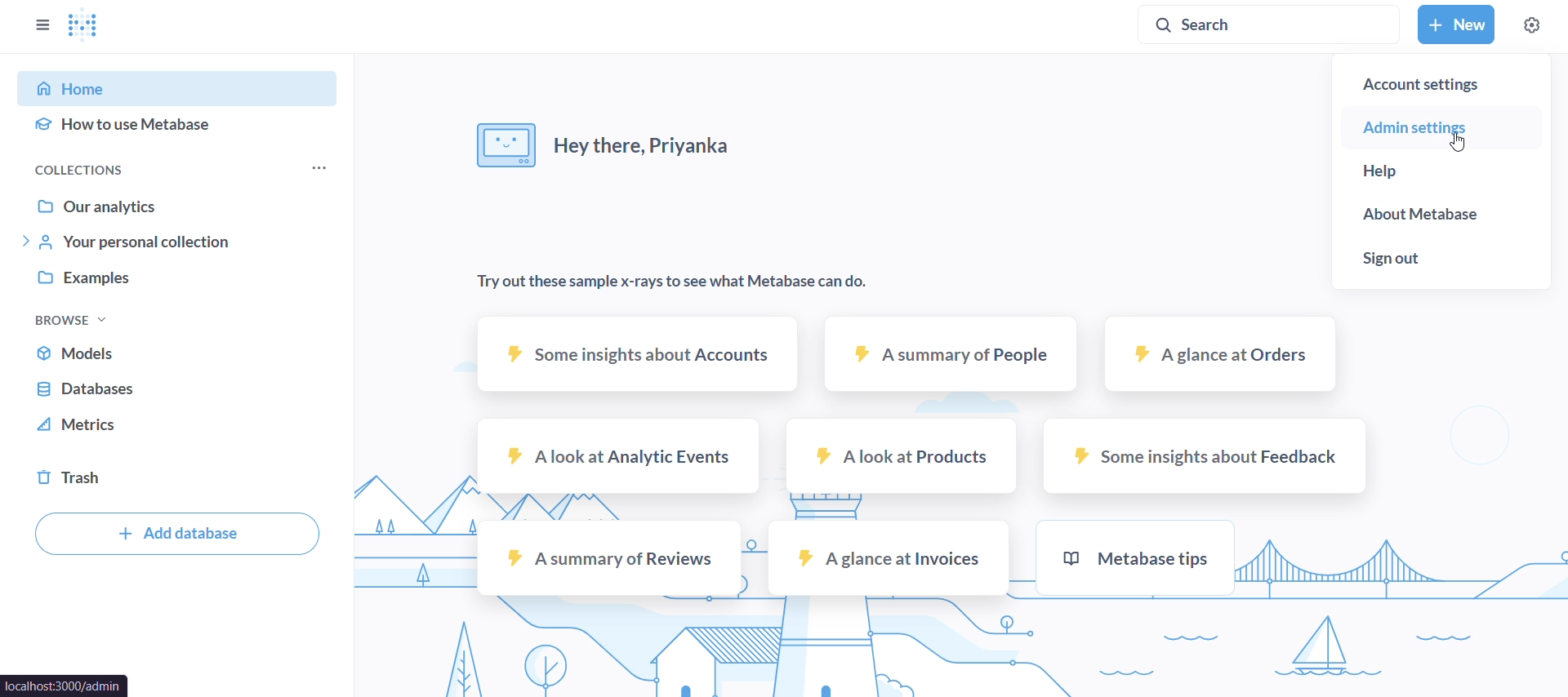 The height and width of the screenshot is (697, 1568). Describe the element at coordinates (1438, 219) in the screenshot. I see `about metabase` at that location.